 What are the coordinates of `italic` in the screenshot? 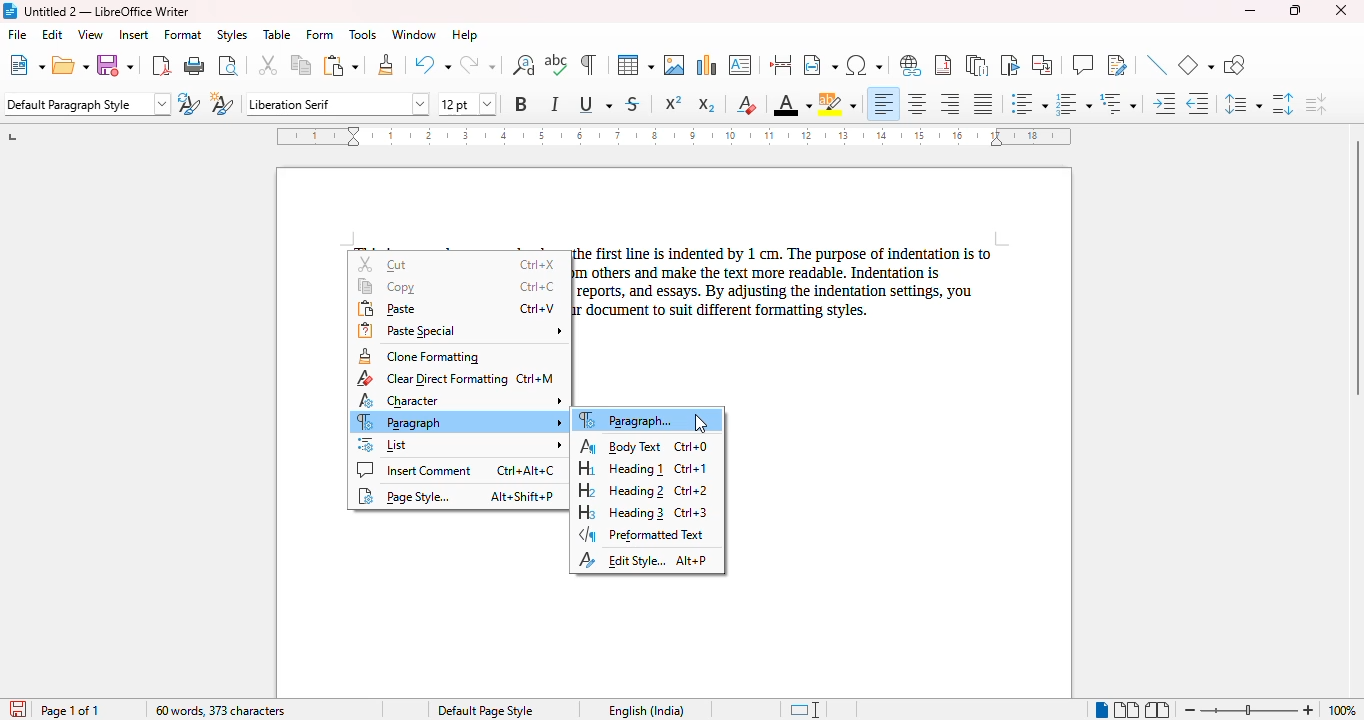 It's located at (555, 104).